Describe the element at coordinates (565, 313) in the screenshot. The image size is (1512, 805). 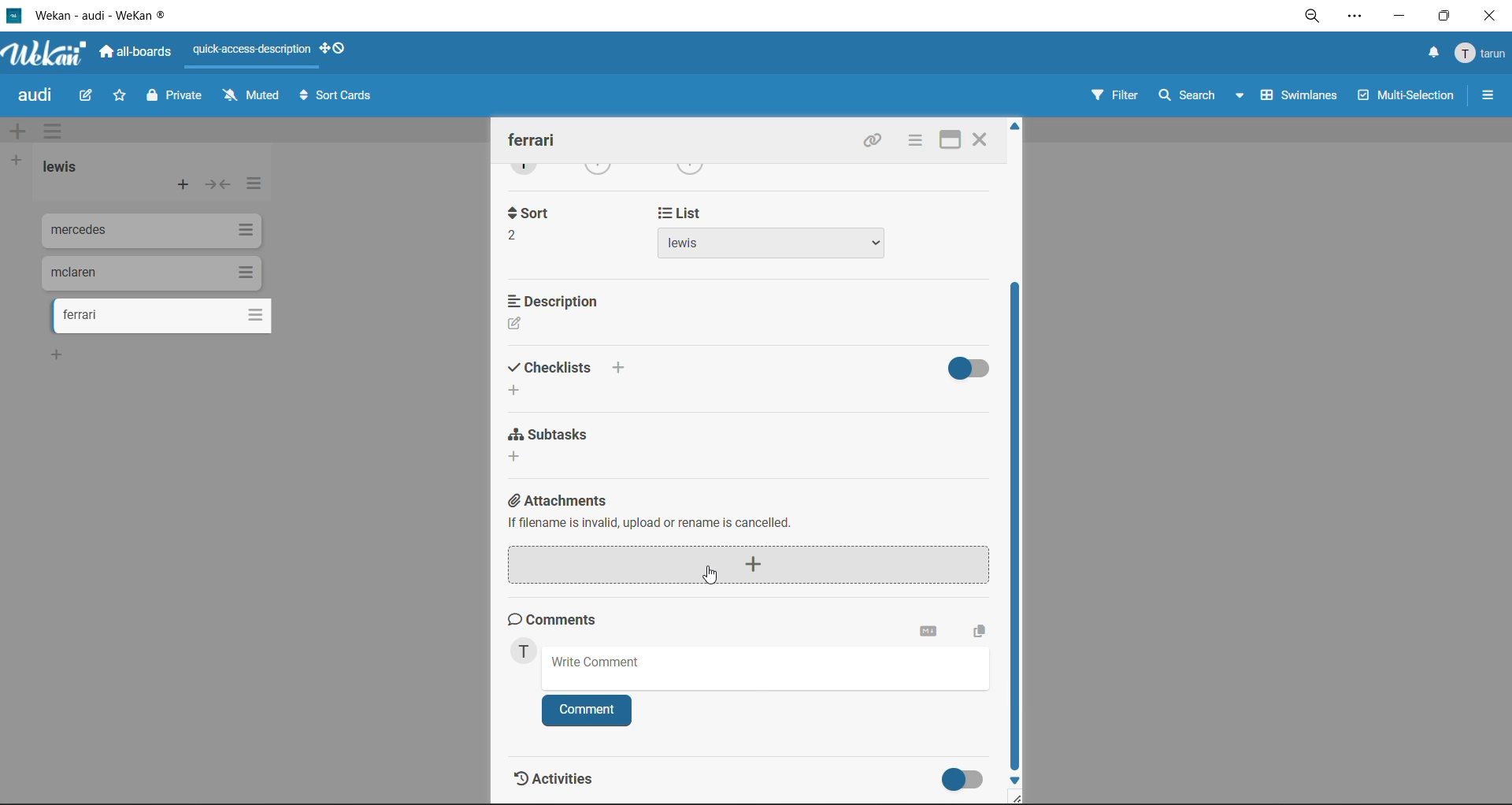
I see `description` at that location.